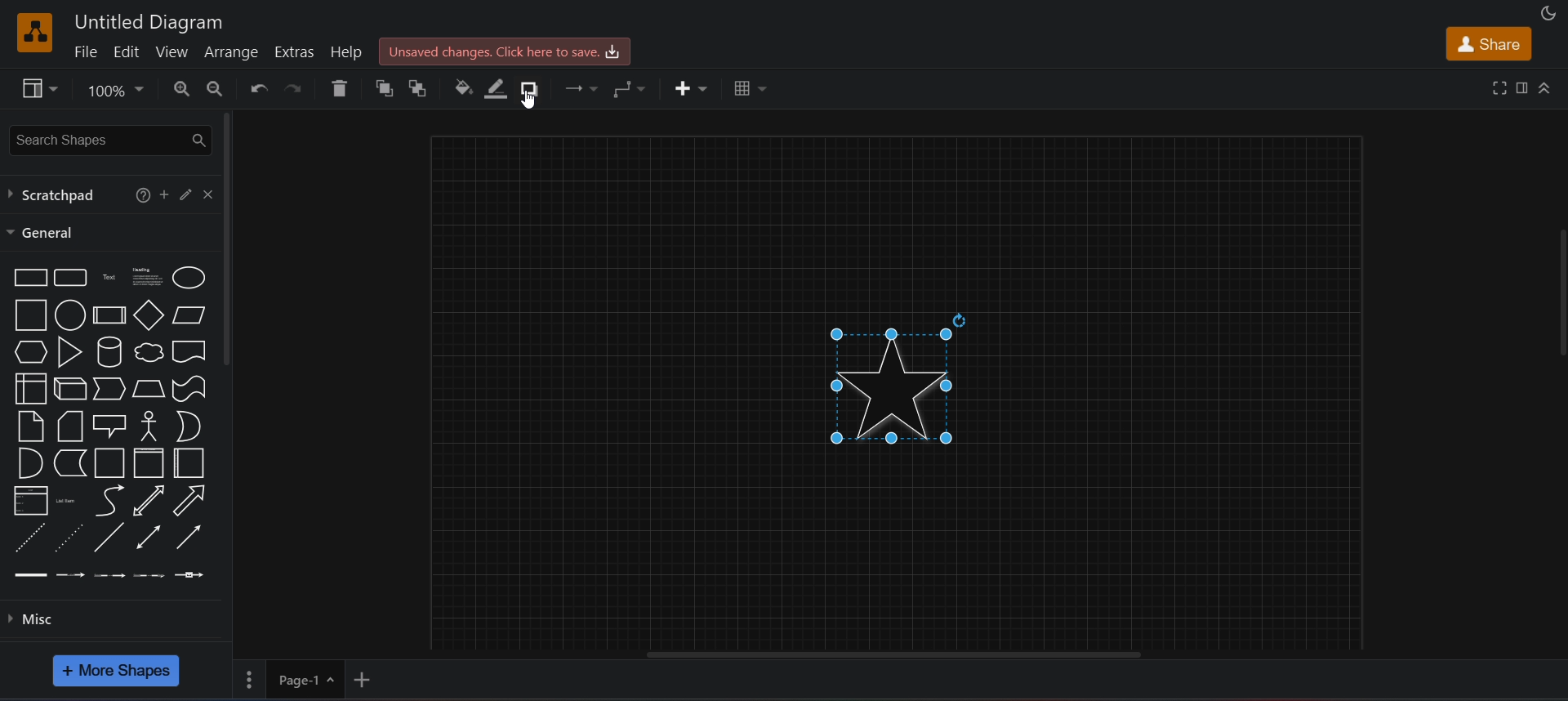 The height and width of the screenshot is (701, 1568). Describe the element at coordinates (1556, 328) in the screenshot. I see `vertical Scrollbar` at that location.